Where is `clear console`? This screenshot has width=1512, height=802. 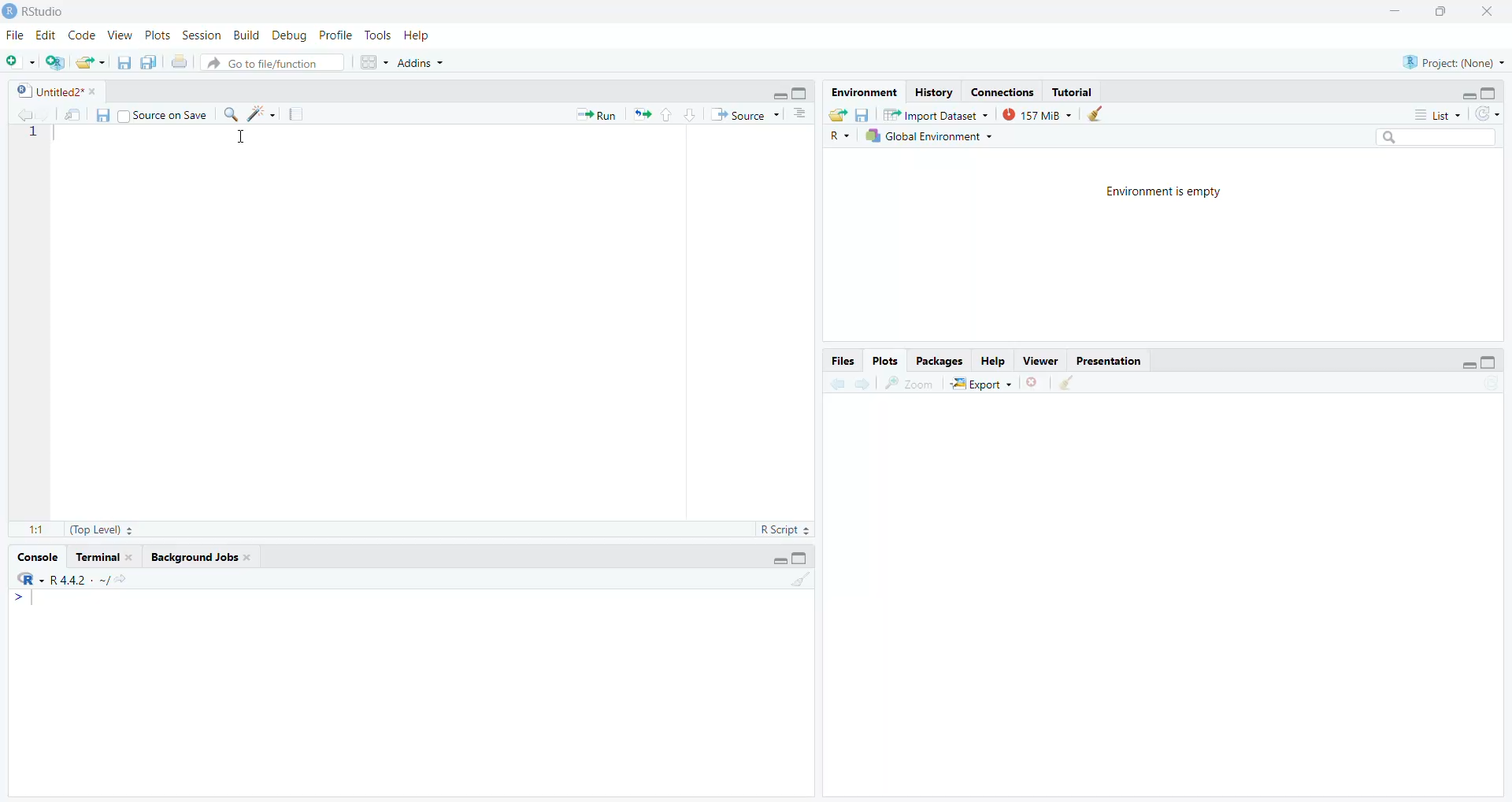
clear console is located at coordinates (800, 581).